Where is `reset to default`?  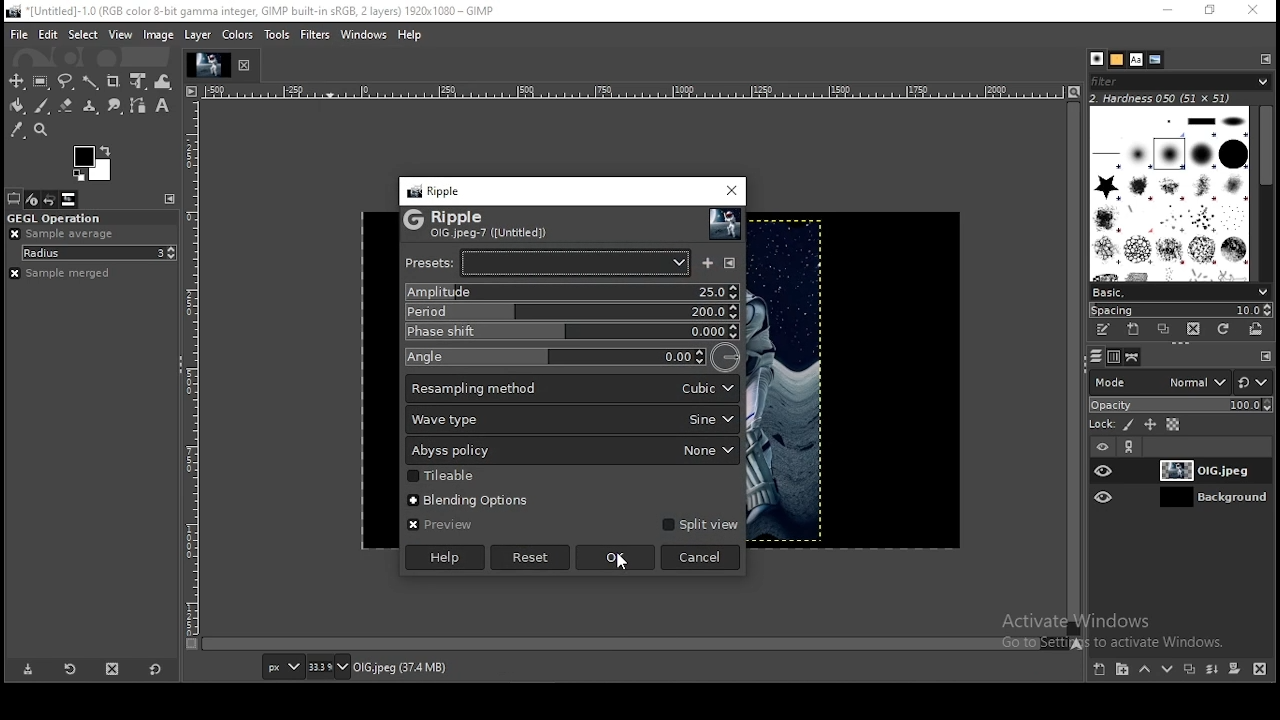
reset to default is located at coordinates (154, 670).